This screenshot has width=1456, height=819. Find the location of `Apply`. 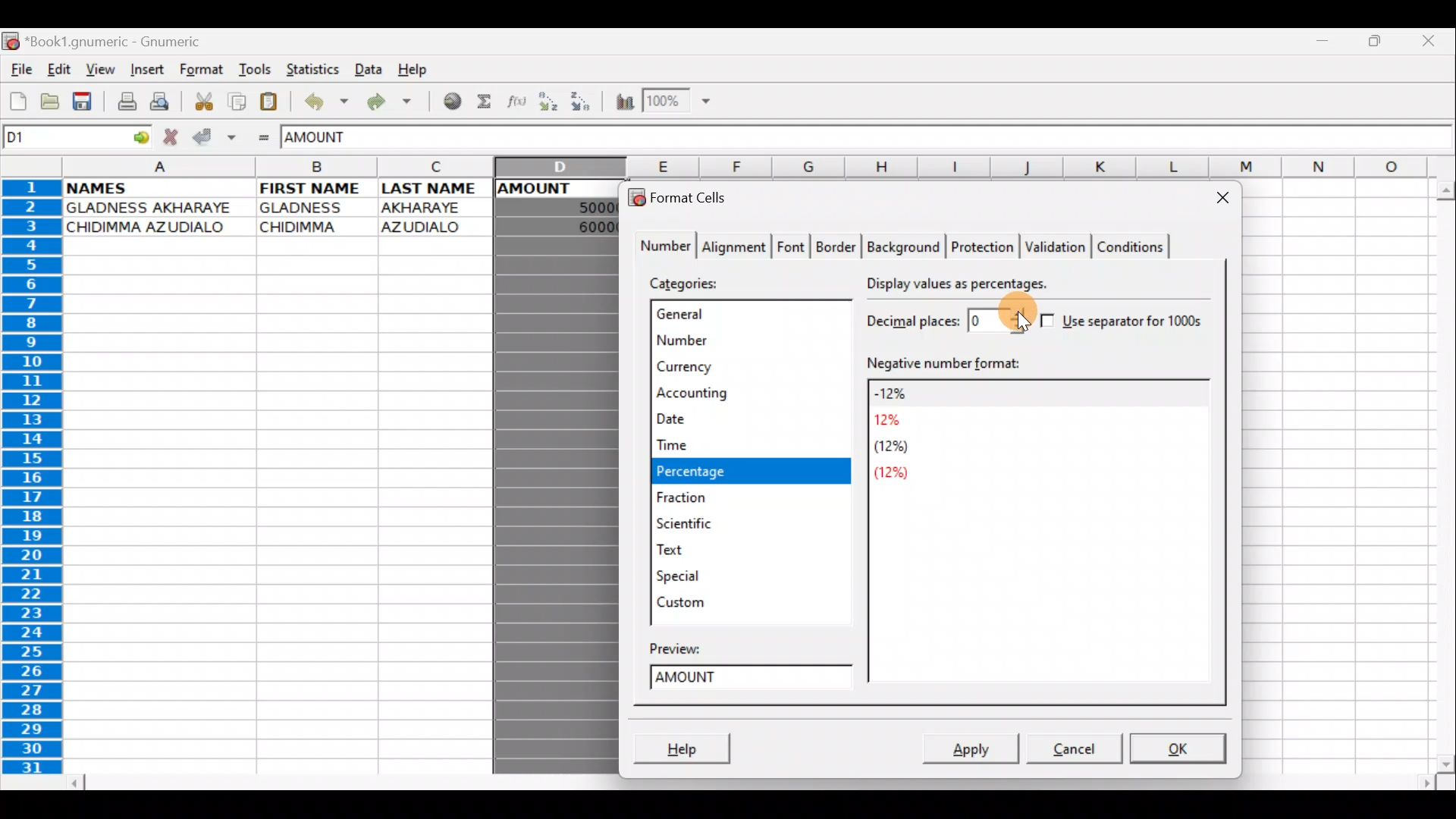

Apply is located at coordinates (973, 745).